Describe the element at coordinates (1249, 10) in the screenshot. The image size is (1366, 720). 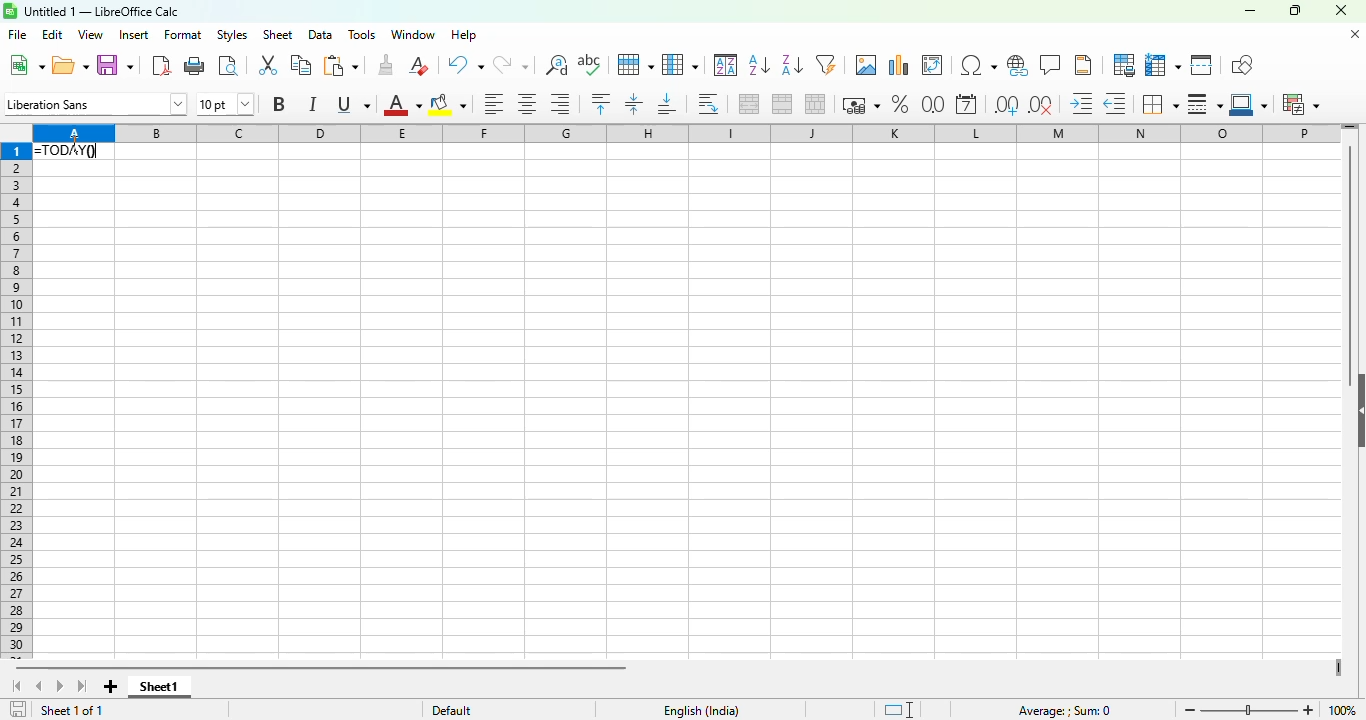
I see `minimize` at that location.